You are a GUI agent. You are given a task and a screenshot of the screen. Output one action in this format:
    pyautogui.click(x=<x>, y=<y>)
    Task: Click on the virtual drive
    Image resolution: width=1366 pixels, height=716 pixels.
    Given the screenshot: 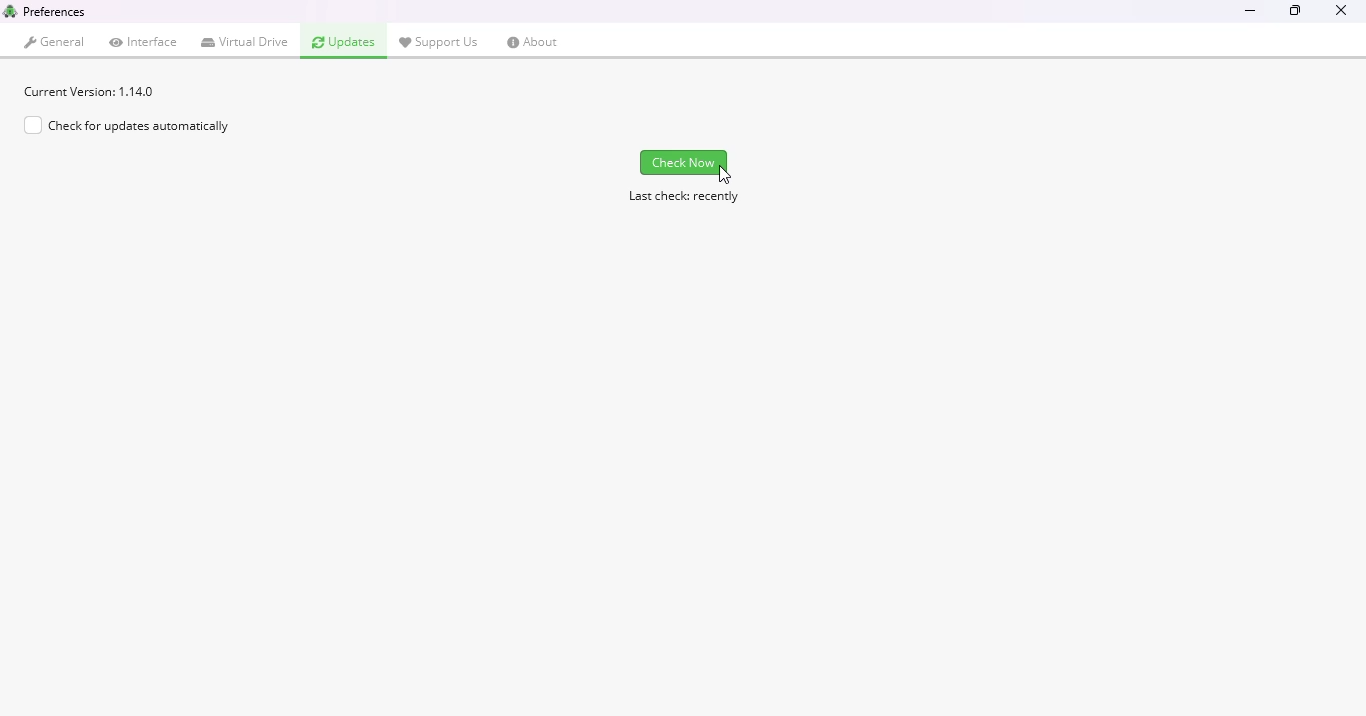 What is the action you would take?
    pyautogui.click(x=246, y=42)
    